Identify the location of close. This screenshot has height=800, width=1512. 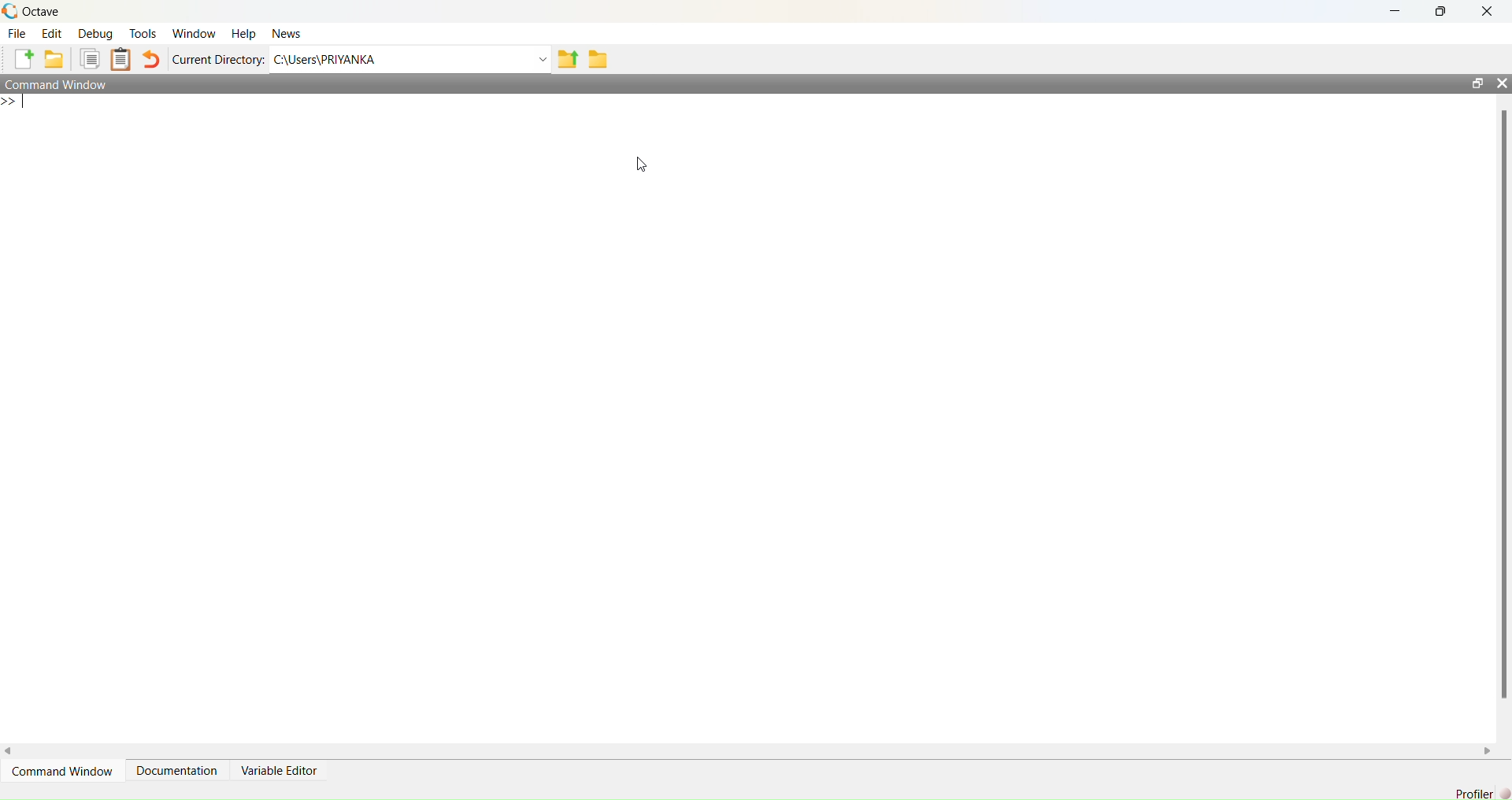
(1501, 83).